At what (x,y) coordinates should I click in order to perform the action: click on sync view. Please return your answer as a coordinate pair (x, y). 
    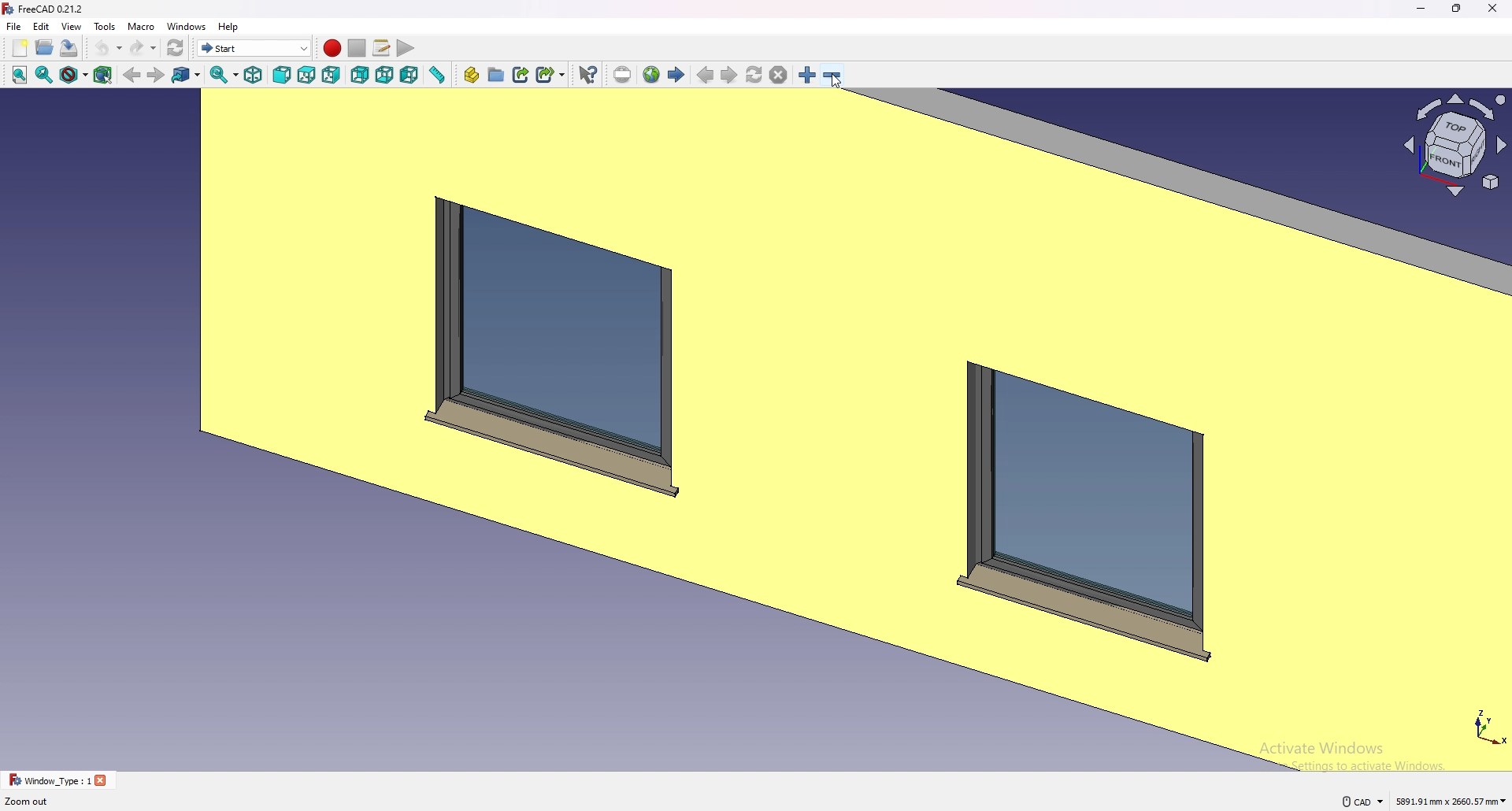
    Looking at the image, I should click on (224, 75).